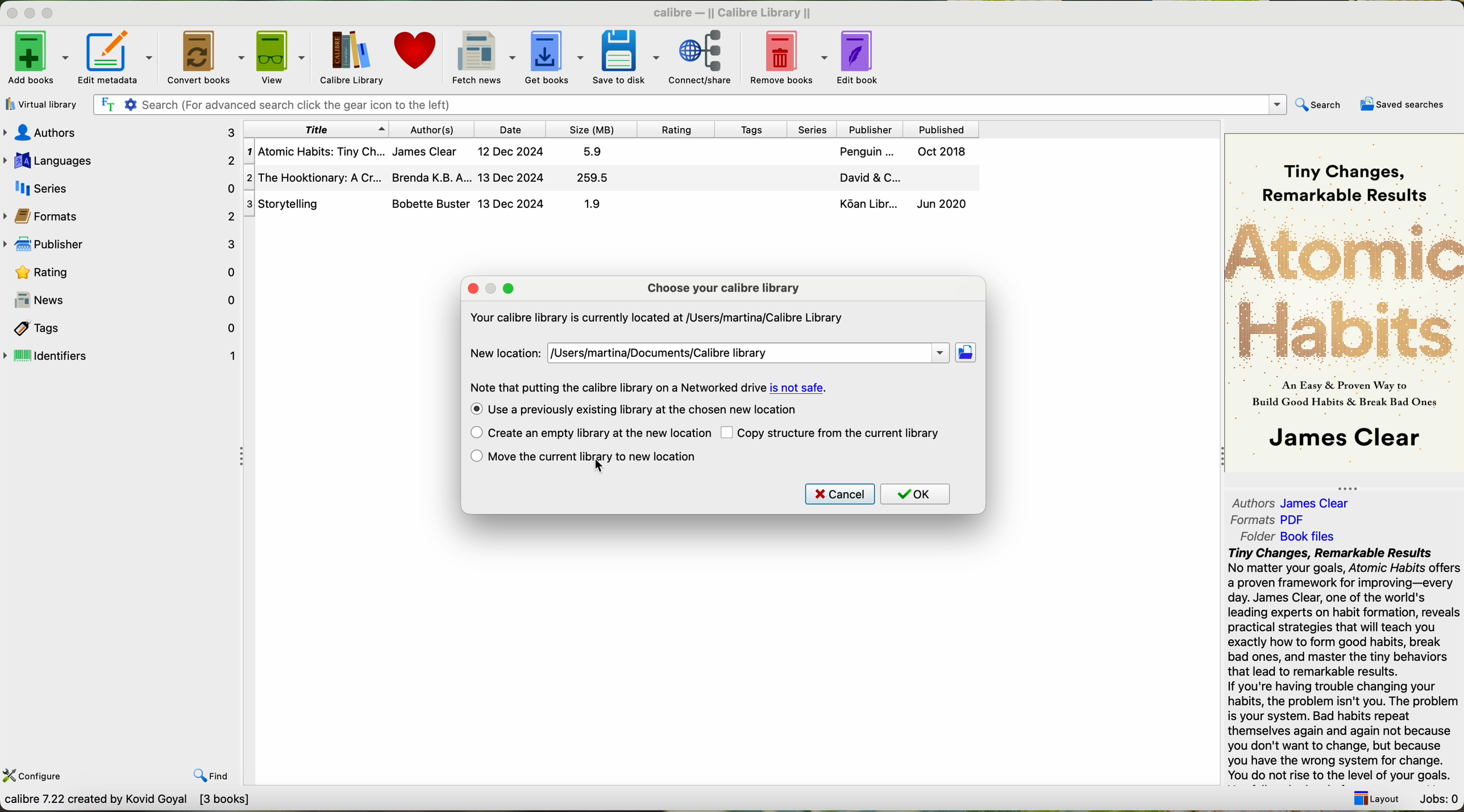 This screenshot has width=1464, height=812. Describe the element at coordinates (1380, 801) in the screenshot. I see `layout` at that location.